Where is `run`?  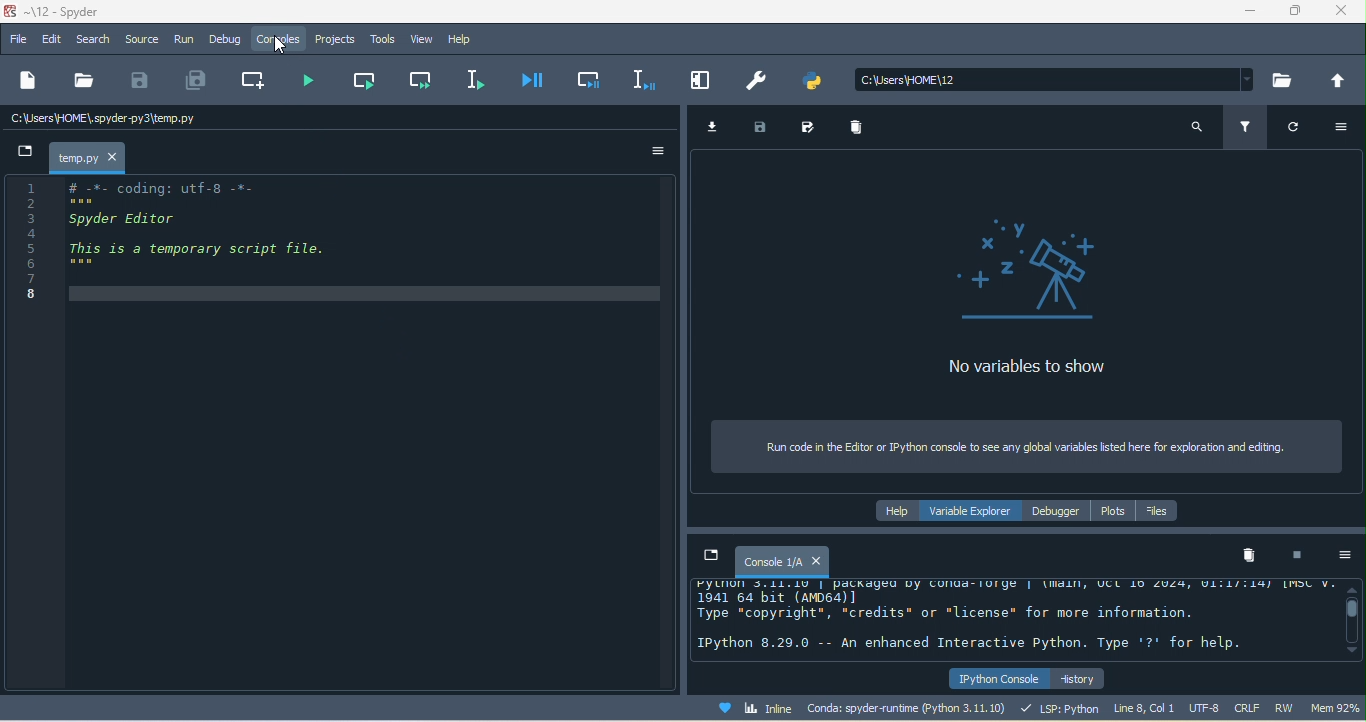
run is located at coordinates (185, 41).